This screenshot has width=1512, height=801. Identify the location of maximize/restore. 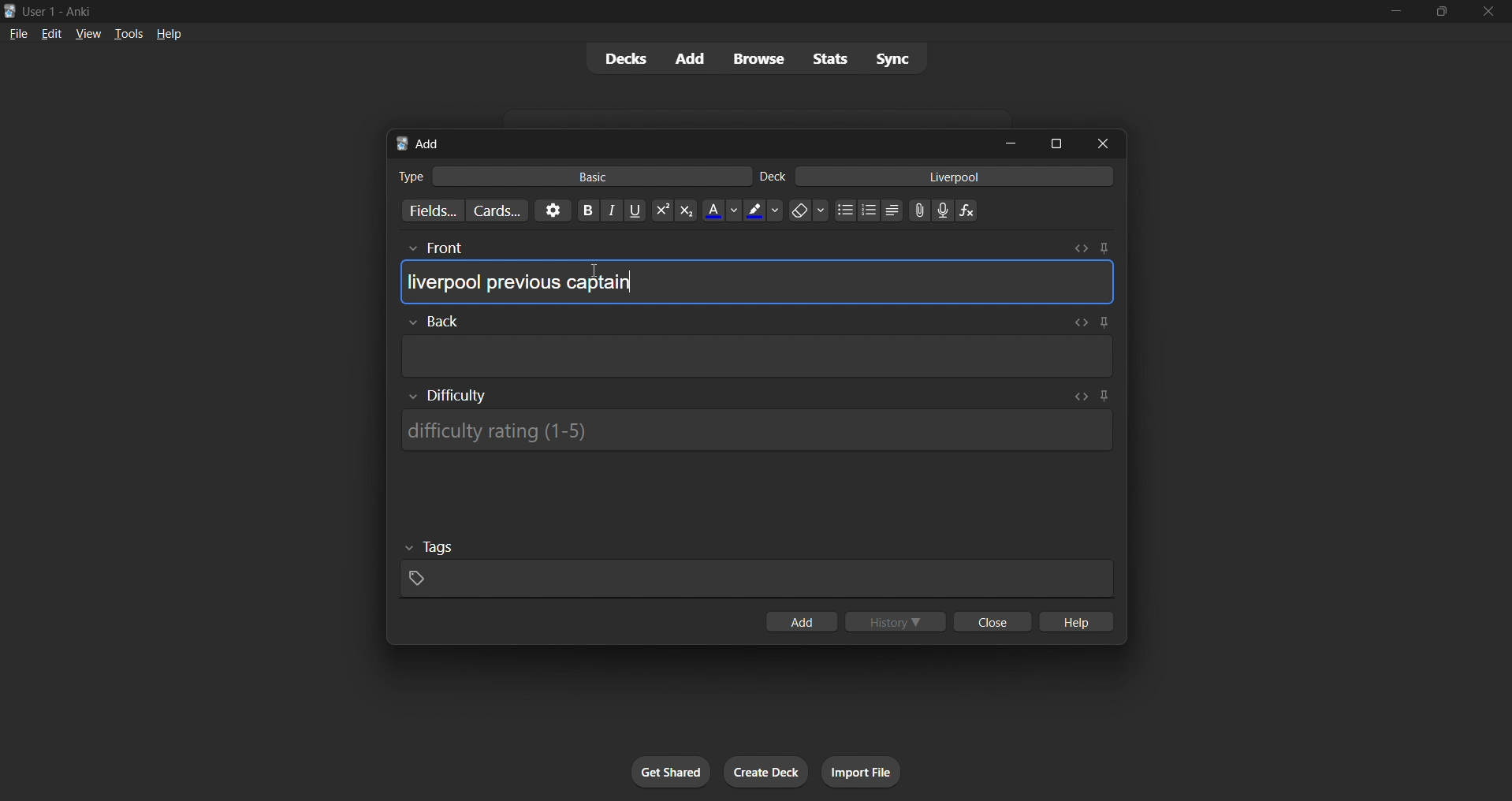
(1442, 12).